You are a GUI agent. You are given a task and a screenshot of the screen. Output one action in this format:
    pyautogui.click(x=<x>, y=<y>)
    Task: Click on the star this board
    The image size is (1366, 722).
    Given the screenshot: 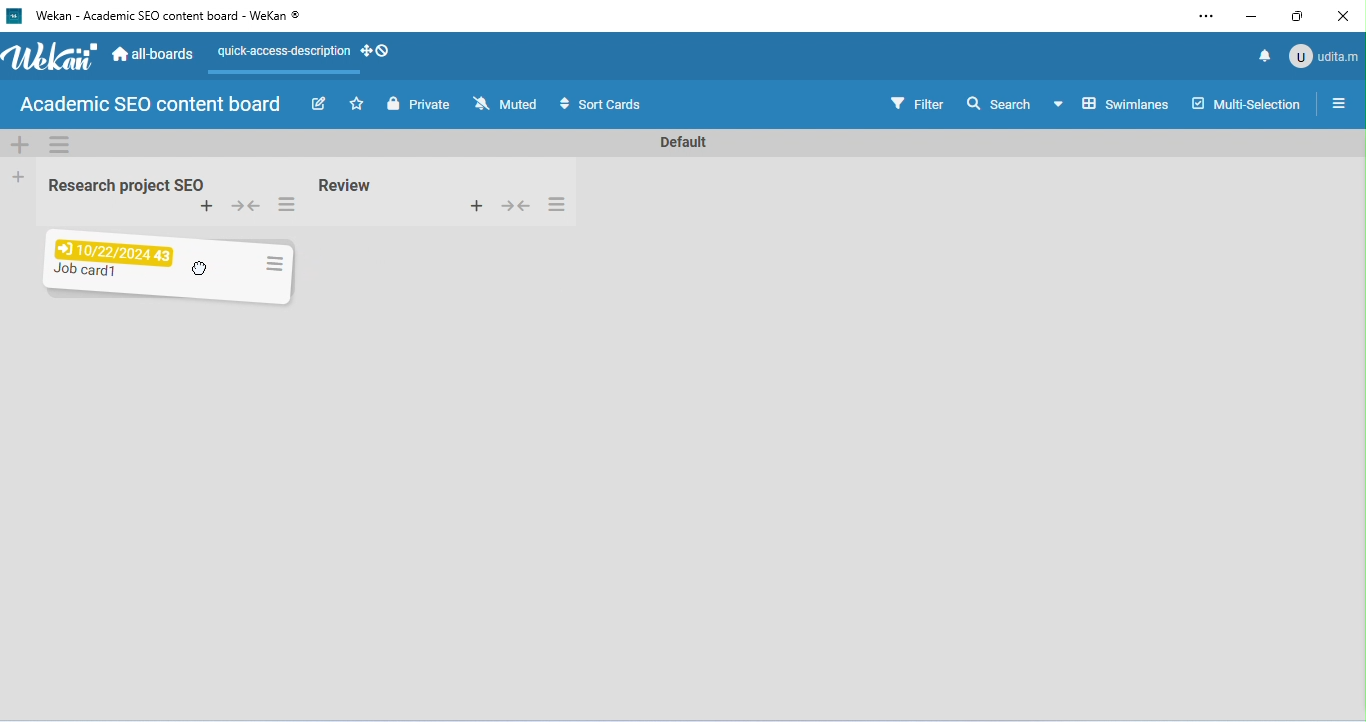 What is the action you would take?
    pyautogui.click(x=358, y=104)
    